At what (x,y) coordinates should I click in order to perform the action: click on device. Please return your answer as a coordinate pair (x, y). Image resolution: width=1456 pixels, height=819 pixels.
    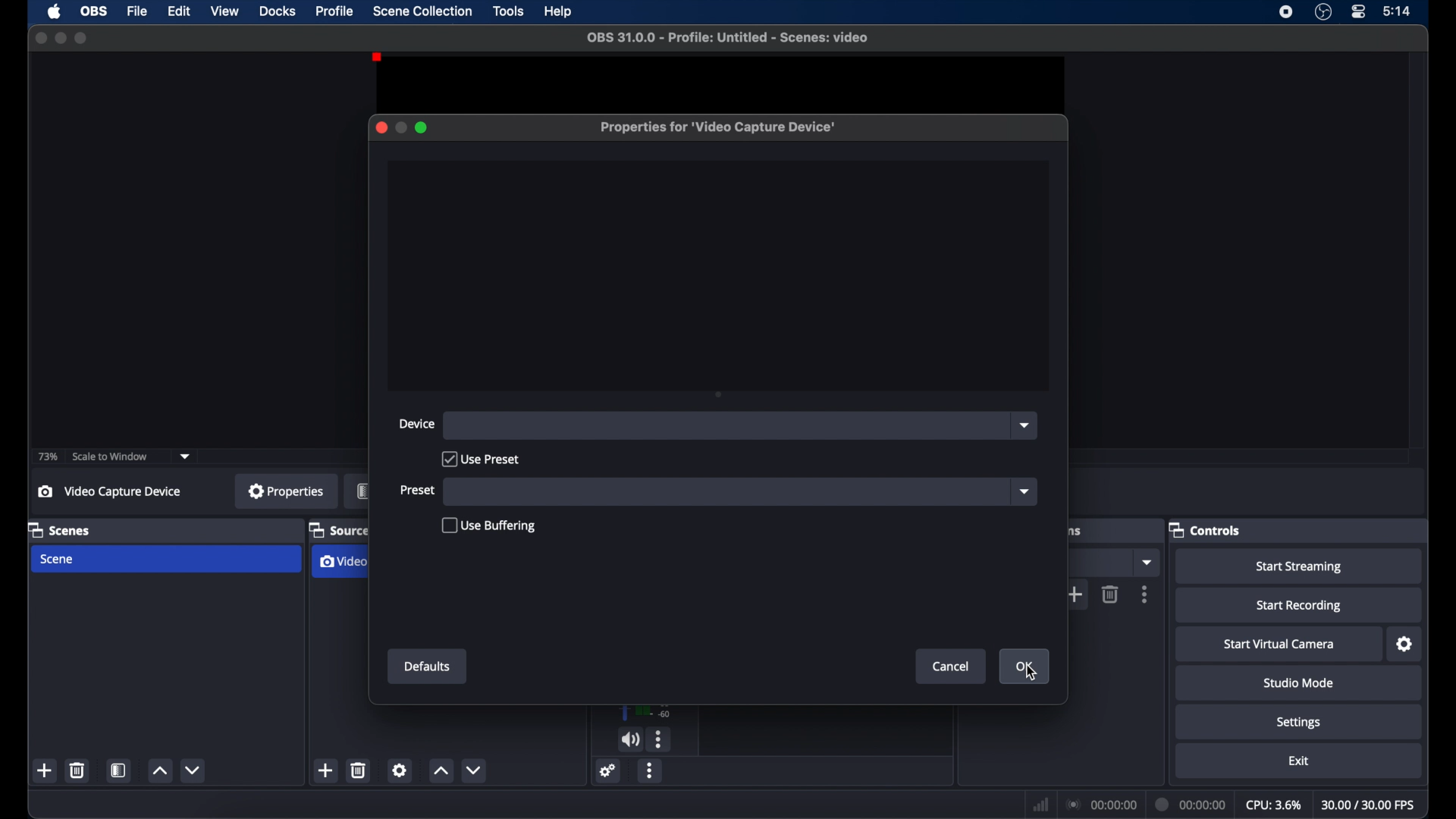
    Looking at the image, I should click on (418, 424).